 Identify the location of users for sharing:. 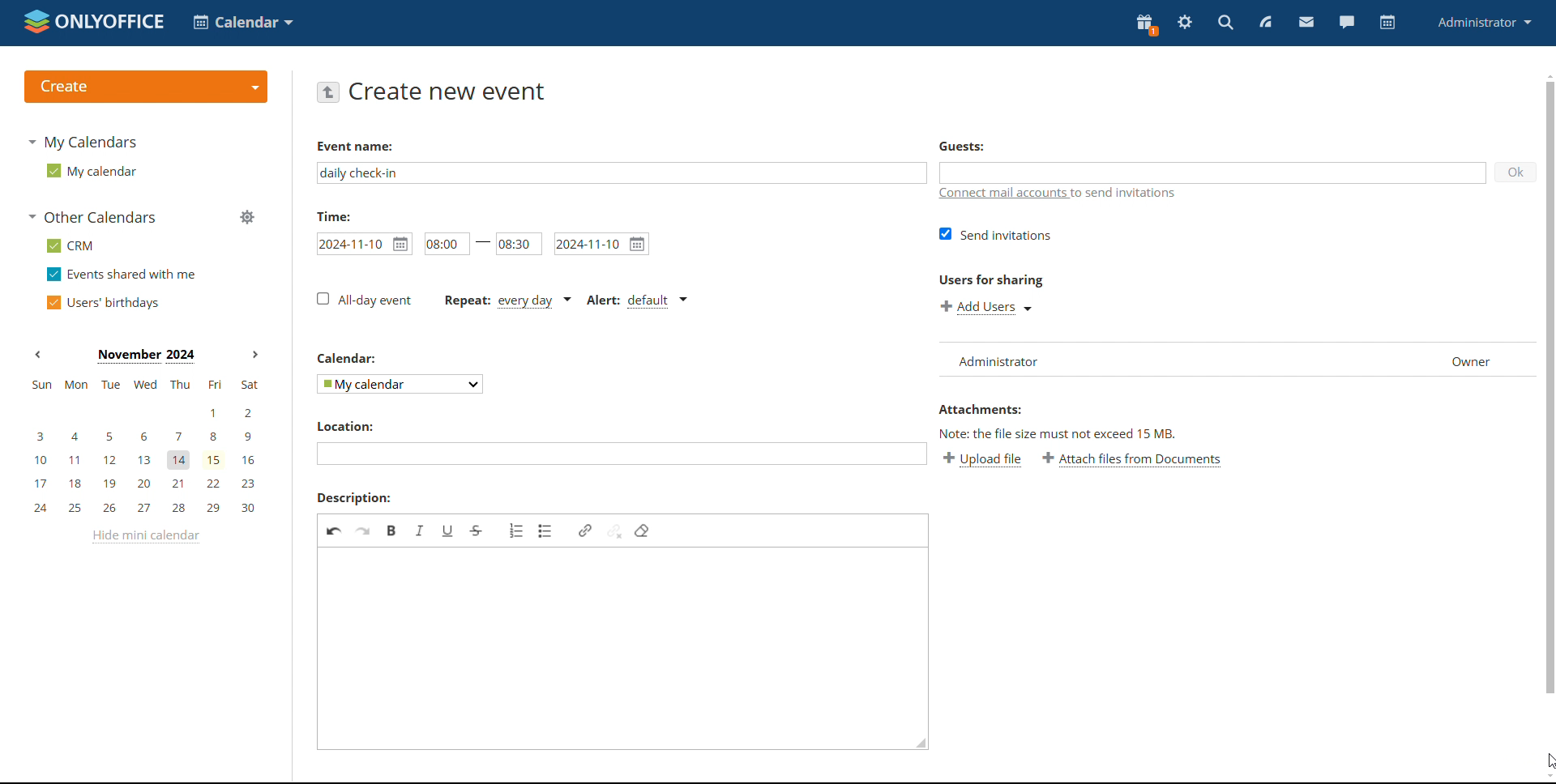
(998, 280).